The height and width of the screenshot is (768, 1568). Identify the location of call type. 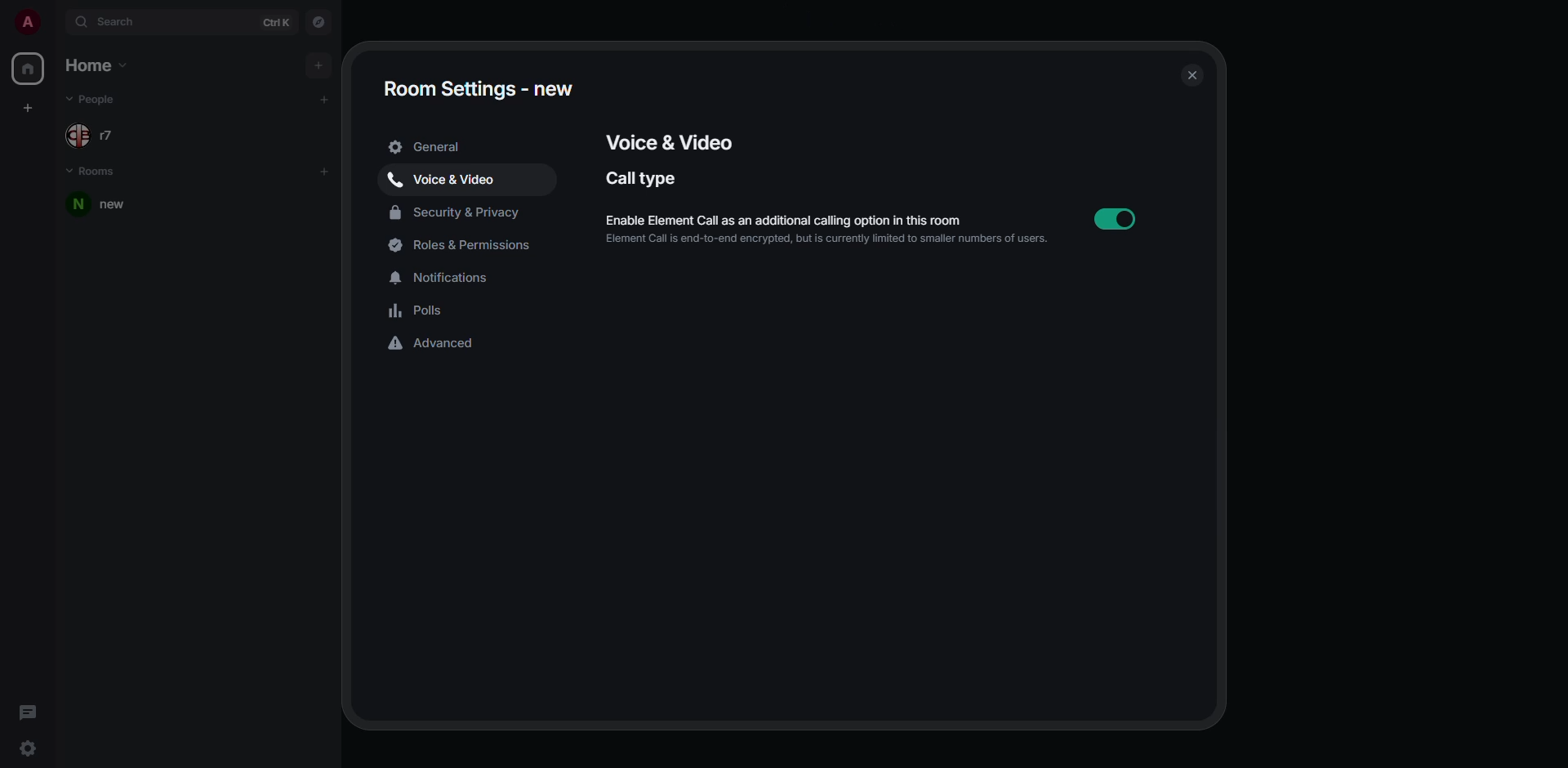
(644, 178).